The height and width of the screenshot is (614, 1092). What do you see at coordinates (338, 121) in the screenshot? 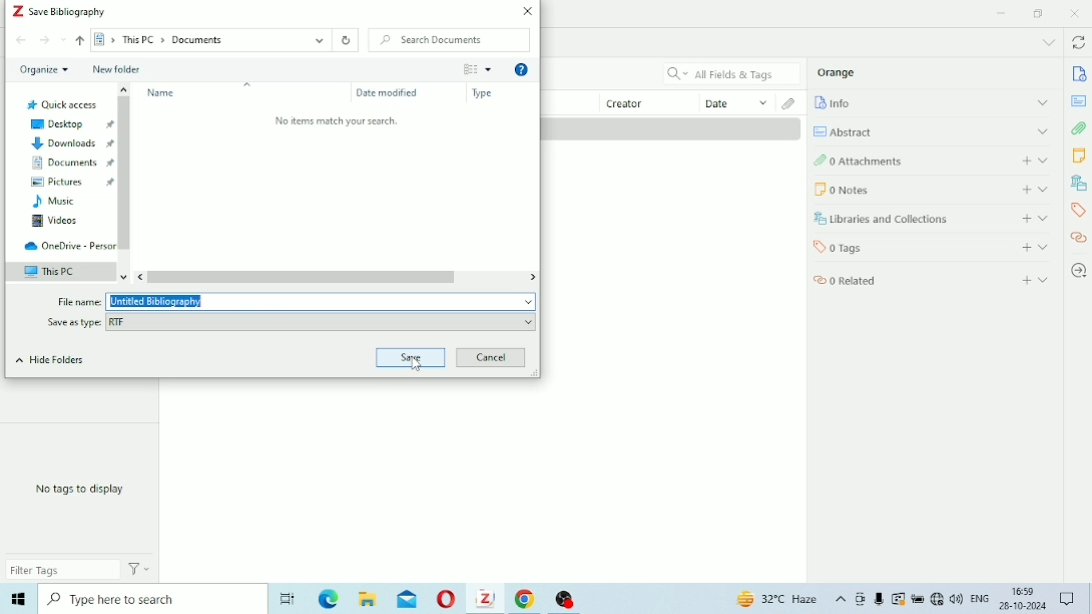
I see `No items match your search` at bounding box center [338, 121].